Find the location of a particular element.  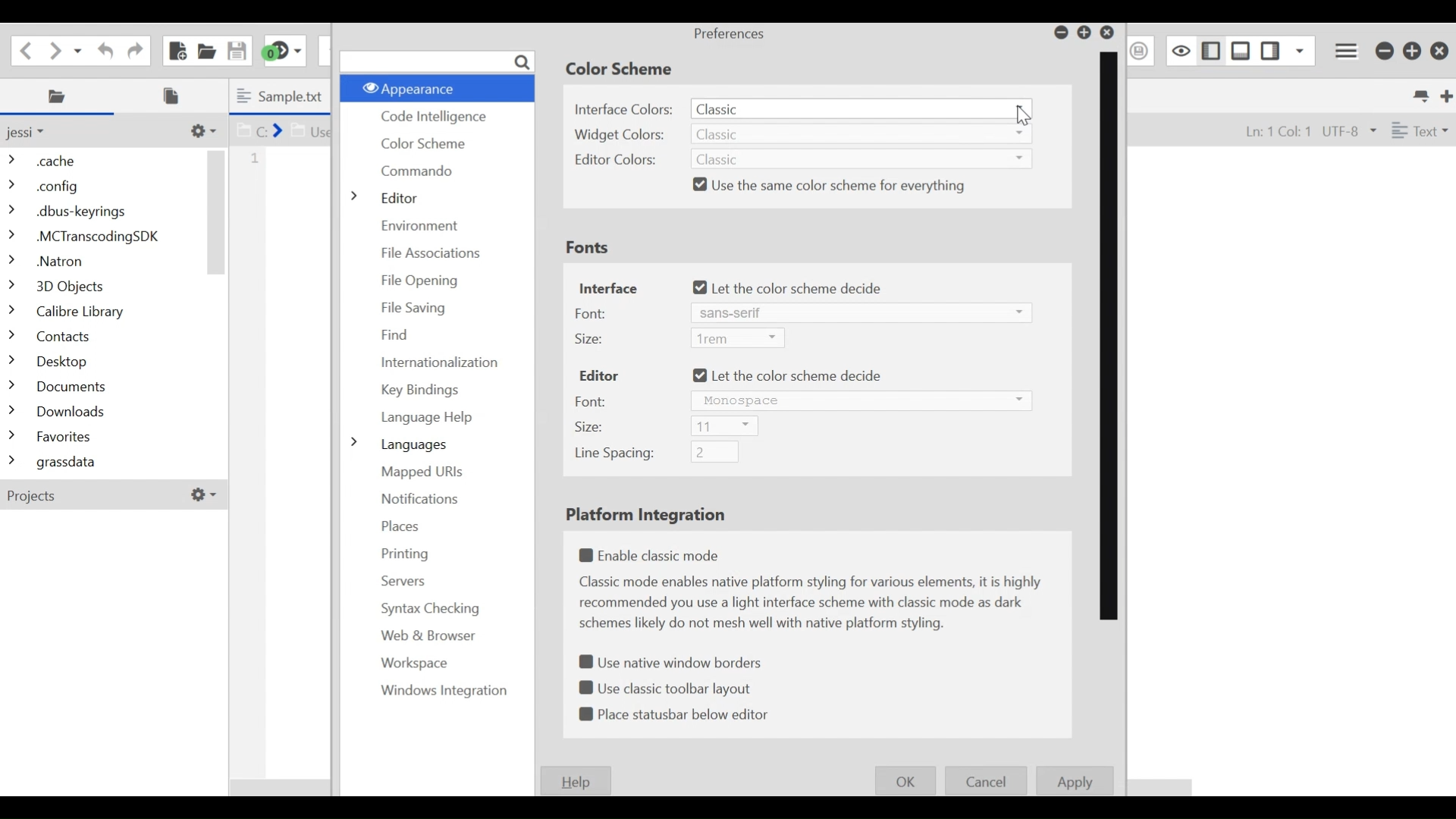

Font dropdown menu is located at coordinates (859, 400).